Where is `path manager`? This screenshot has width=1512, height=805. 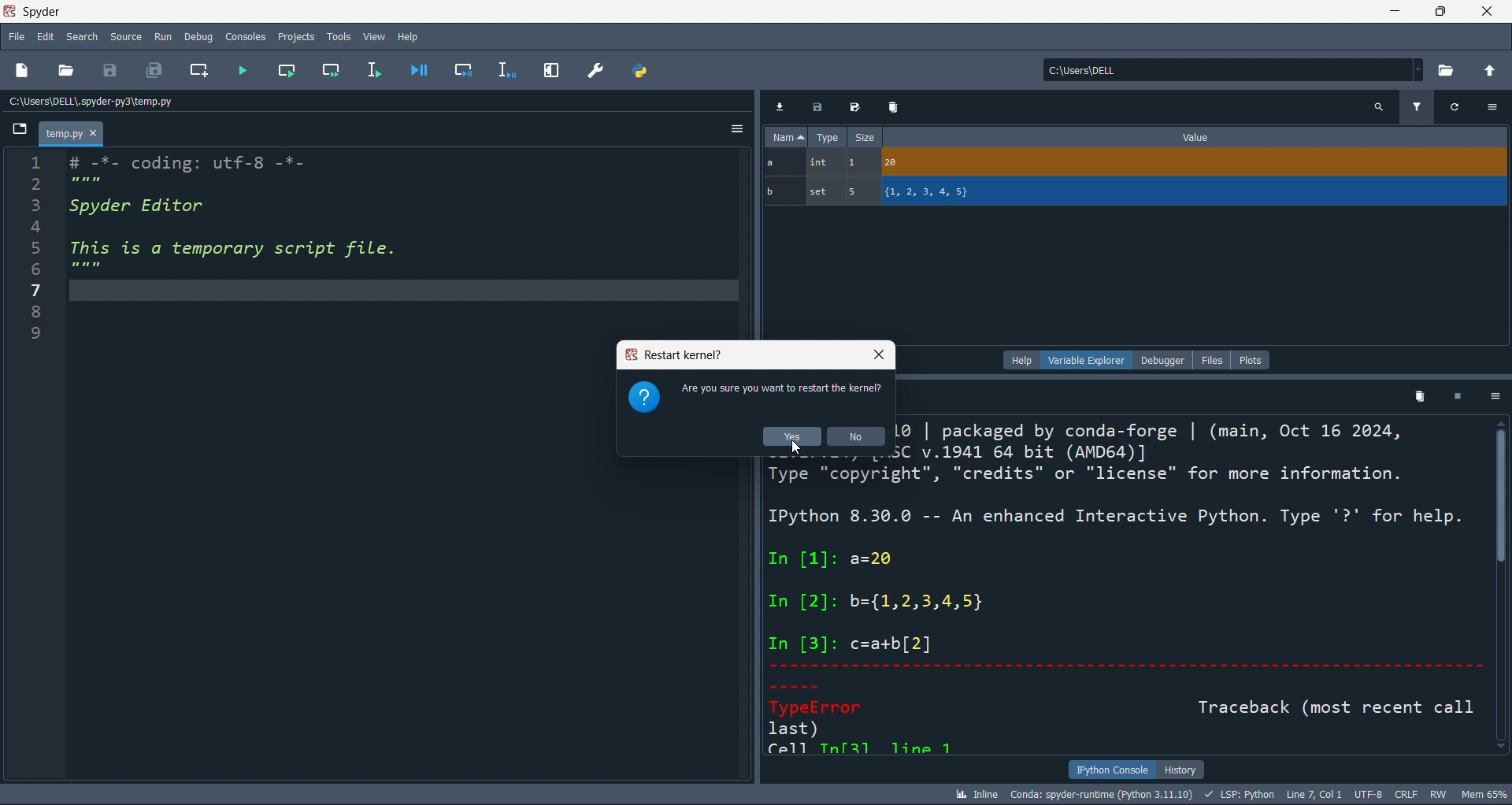
path manager is located at coordinates (643, 72).